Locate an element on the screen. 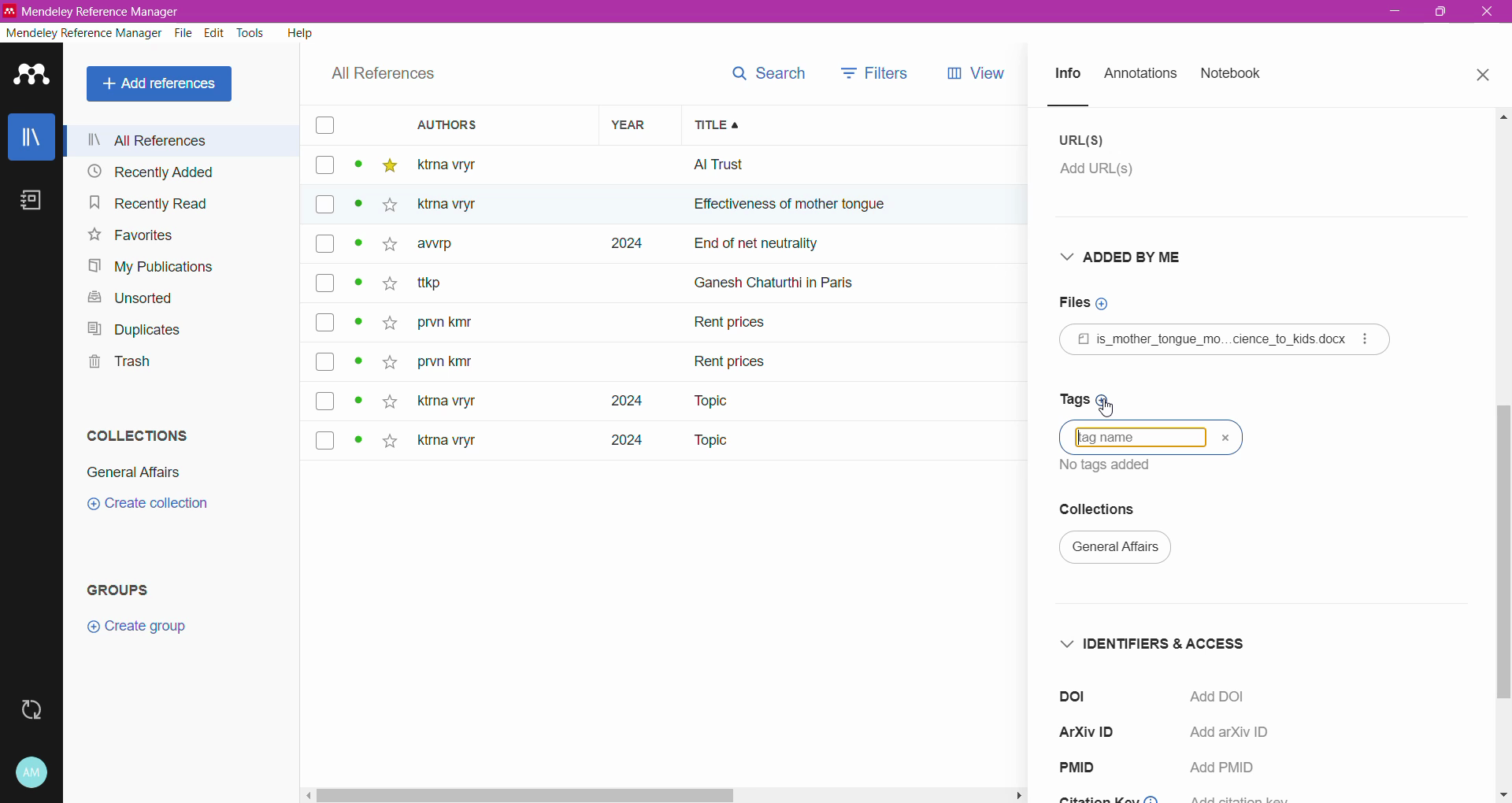  text is located at coordinates (1125, 468).